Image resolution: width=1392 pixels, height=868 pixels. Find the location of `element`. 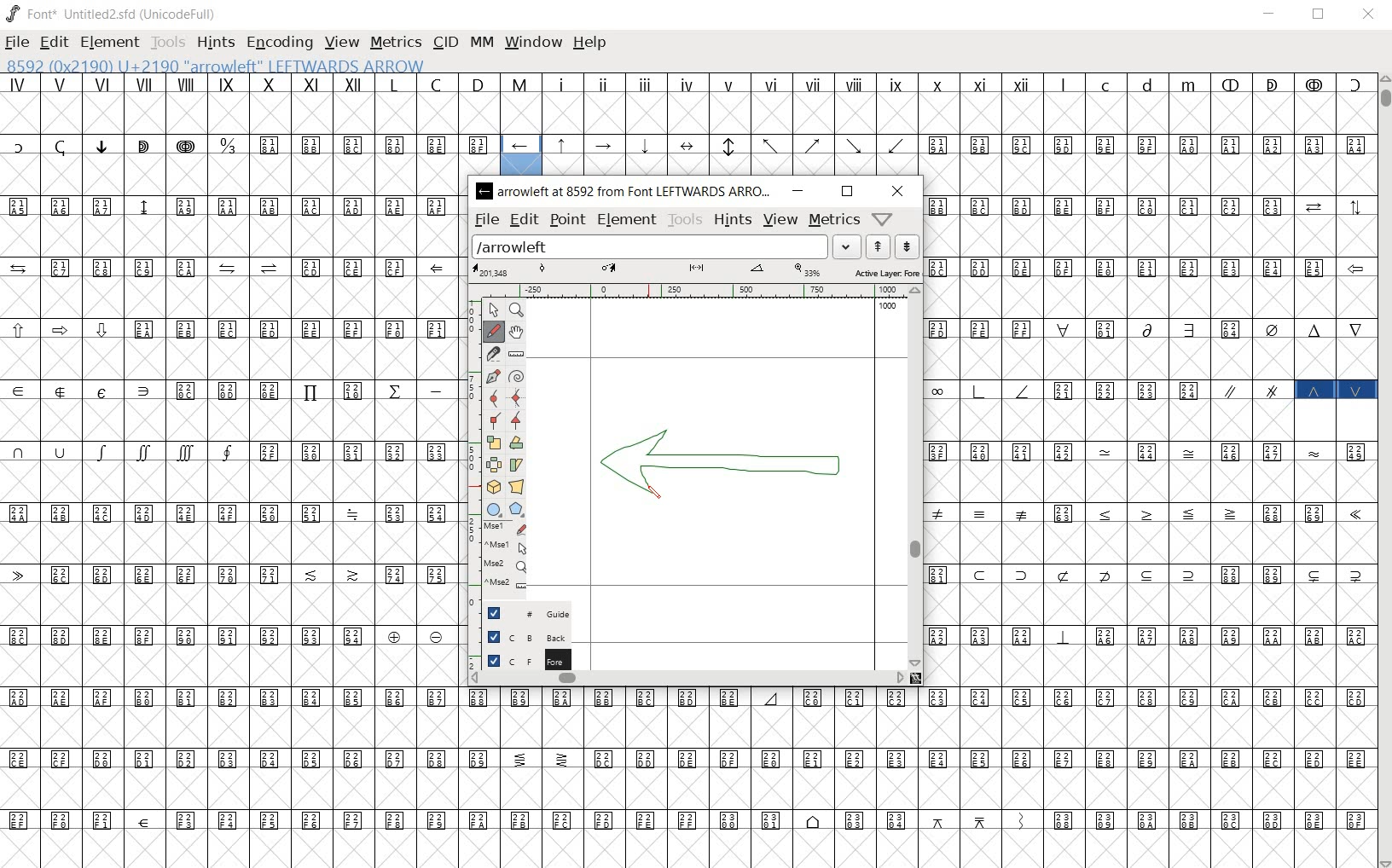

element is located at coordinates (627, 219).